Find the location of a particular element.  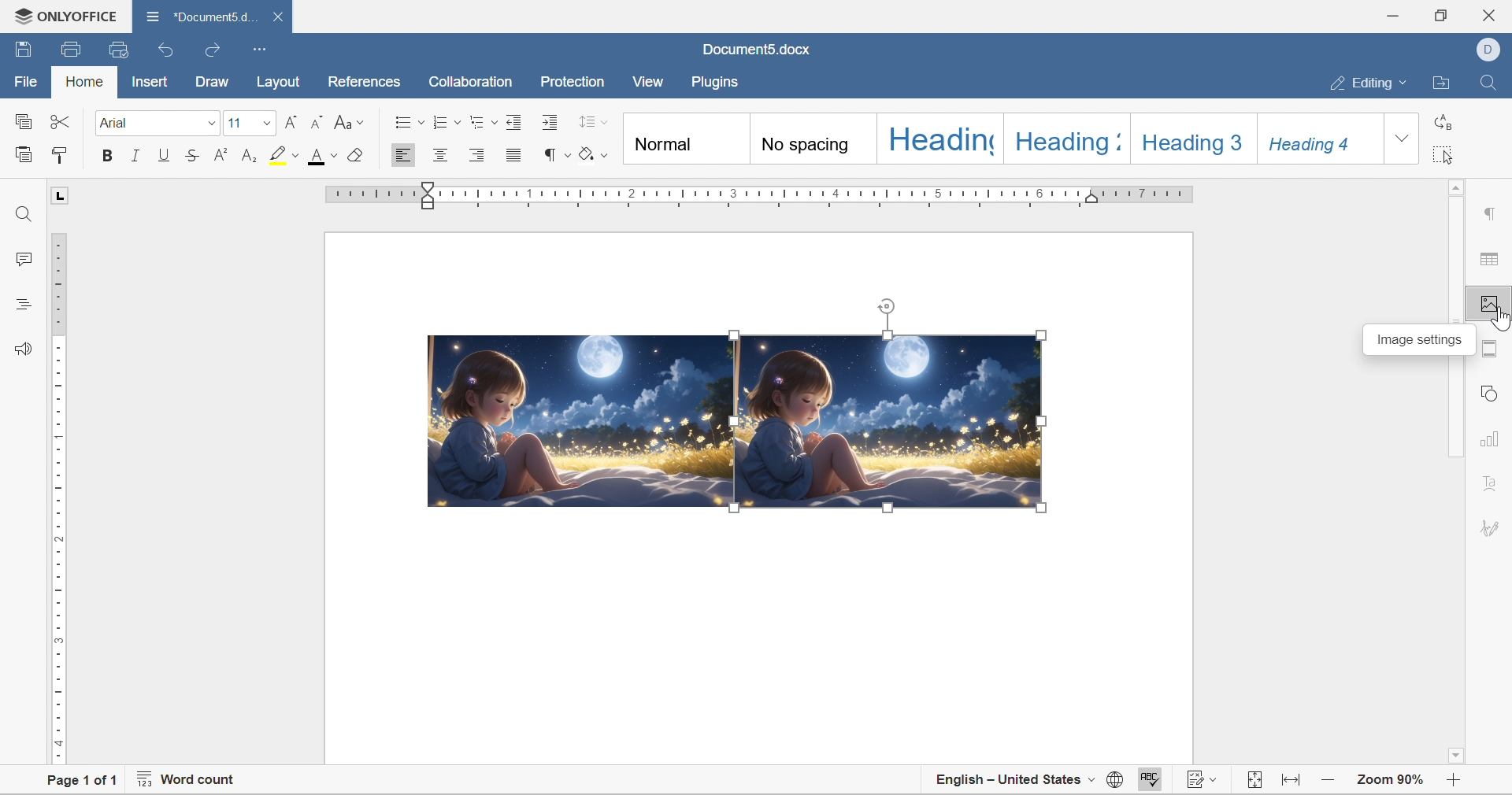

redo is located at coordinates (215, 51).